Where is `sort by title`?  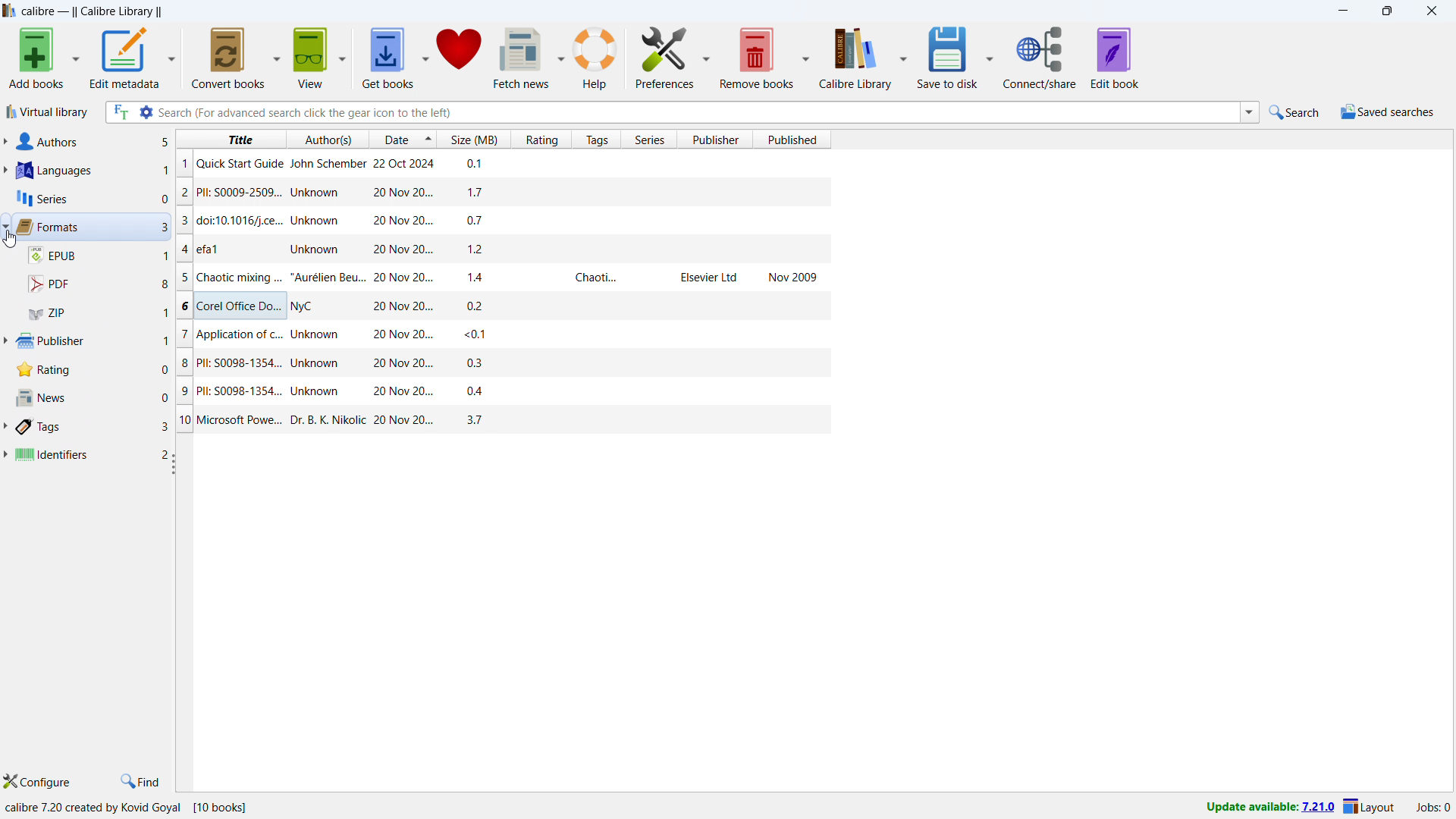
sort by title is located at coordinates (230, 138).